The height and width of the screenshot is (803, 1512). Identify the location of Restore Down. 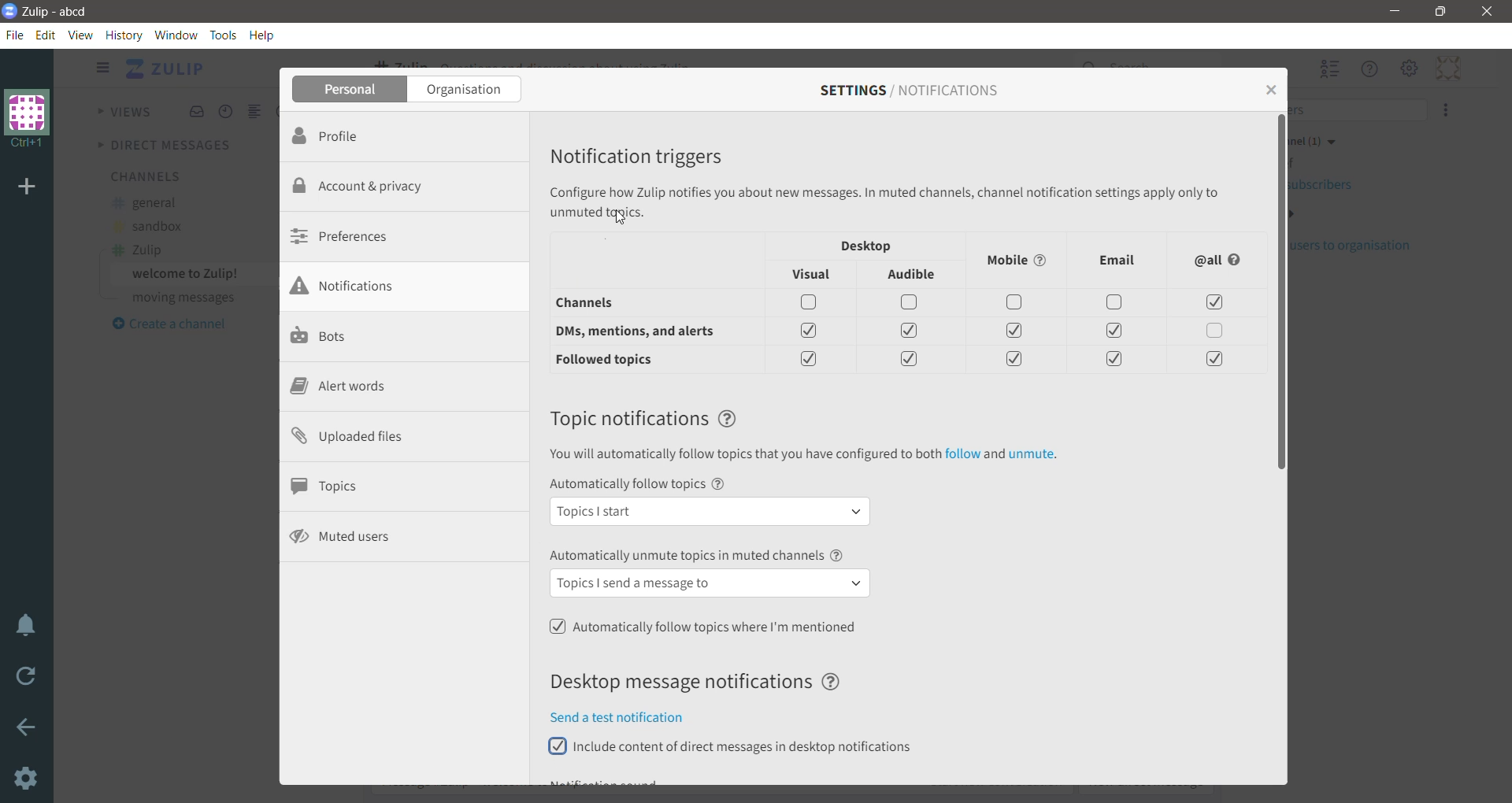
(1442, 12).